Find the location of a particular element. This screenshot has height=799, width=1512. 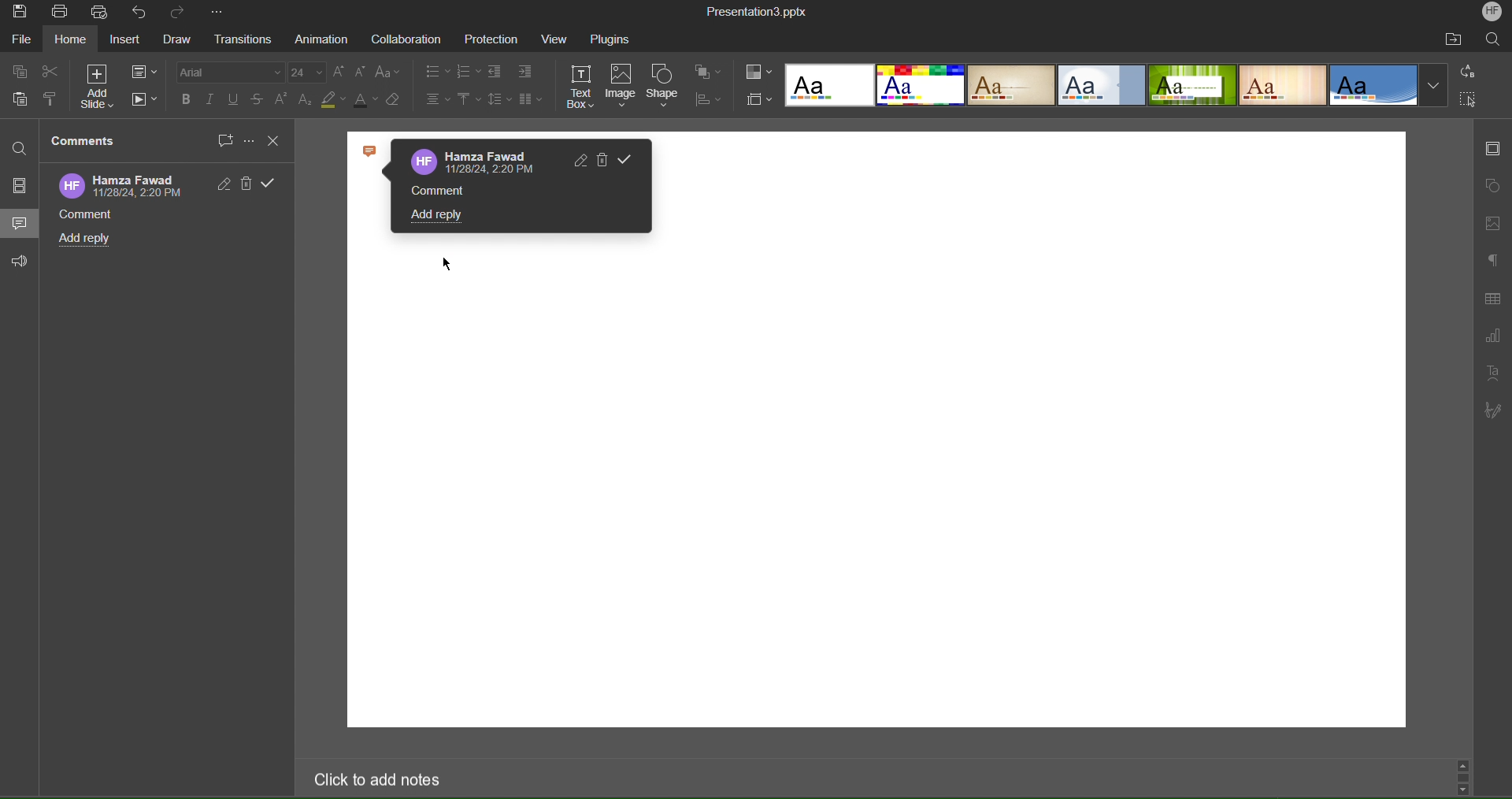

Alignment is located at coordinates (438, 101).